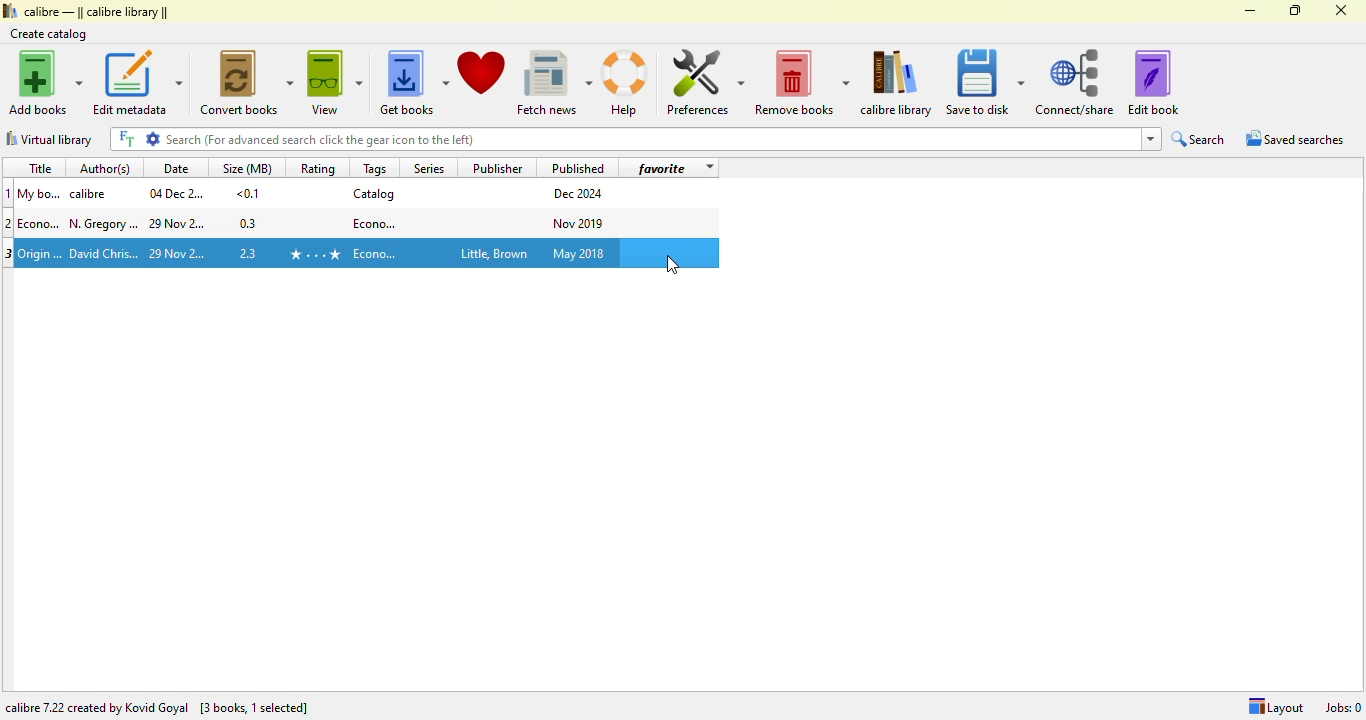 Image resolution: width=1366 pixels, height=720 pixels. Describe the element at coordinates (335, 82) in the screenshot. I see `view` at that location.